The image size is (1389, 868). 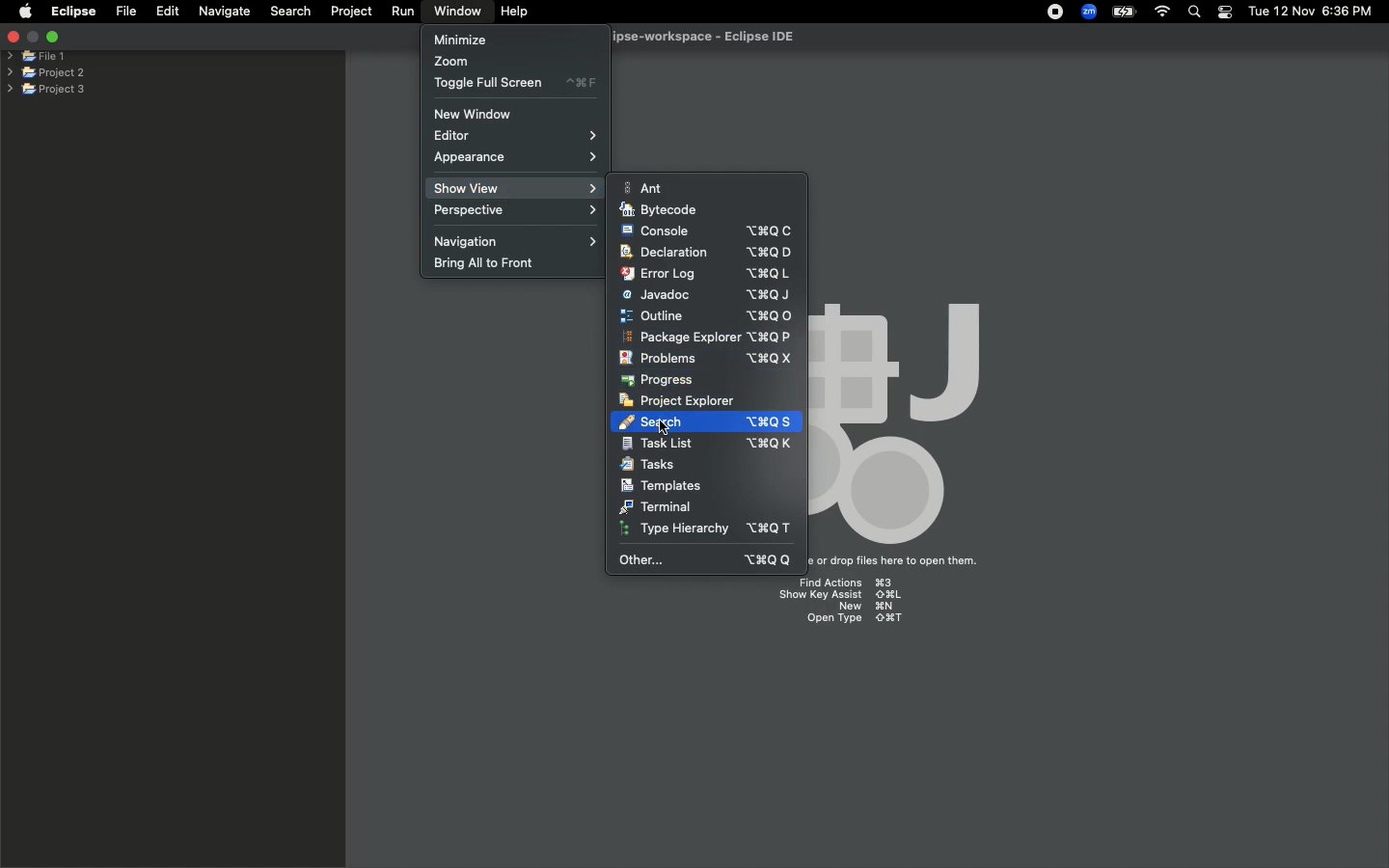 I want to click on Console, so click(x=707, y=231).